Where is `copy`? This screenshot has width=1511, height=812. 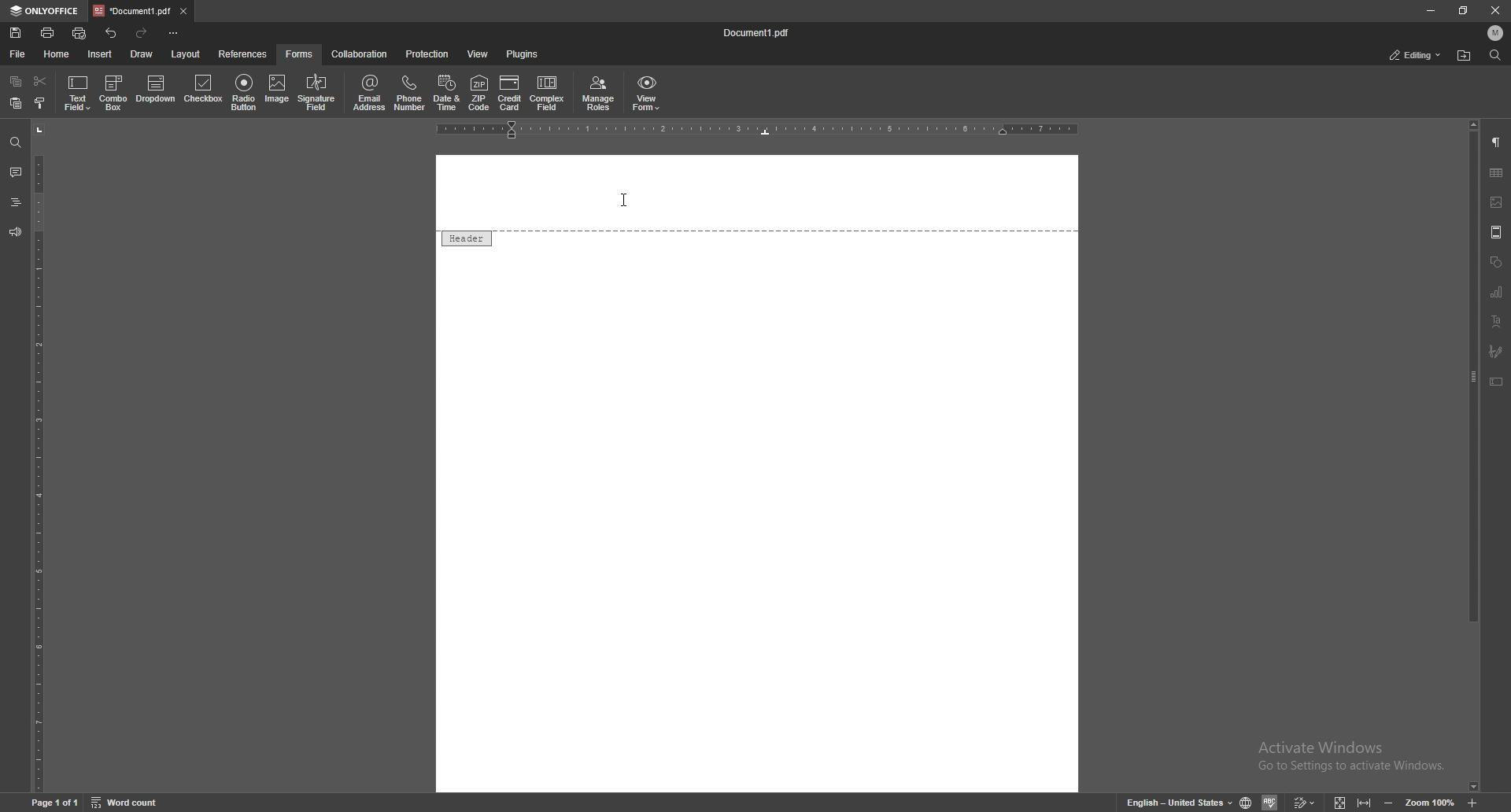 copy is located at coordinates (15, 81).